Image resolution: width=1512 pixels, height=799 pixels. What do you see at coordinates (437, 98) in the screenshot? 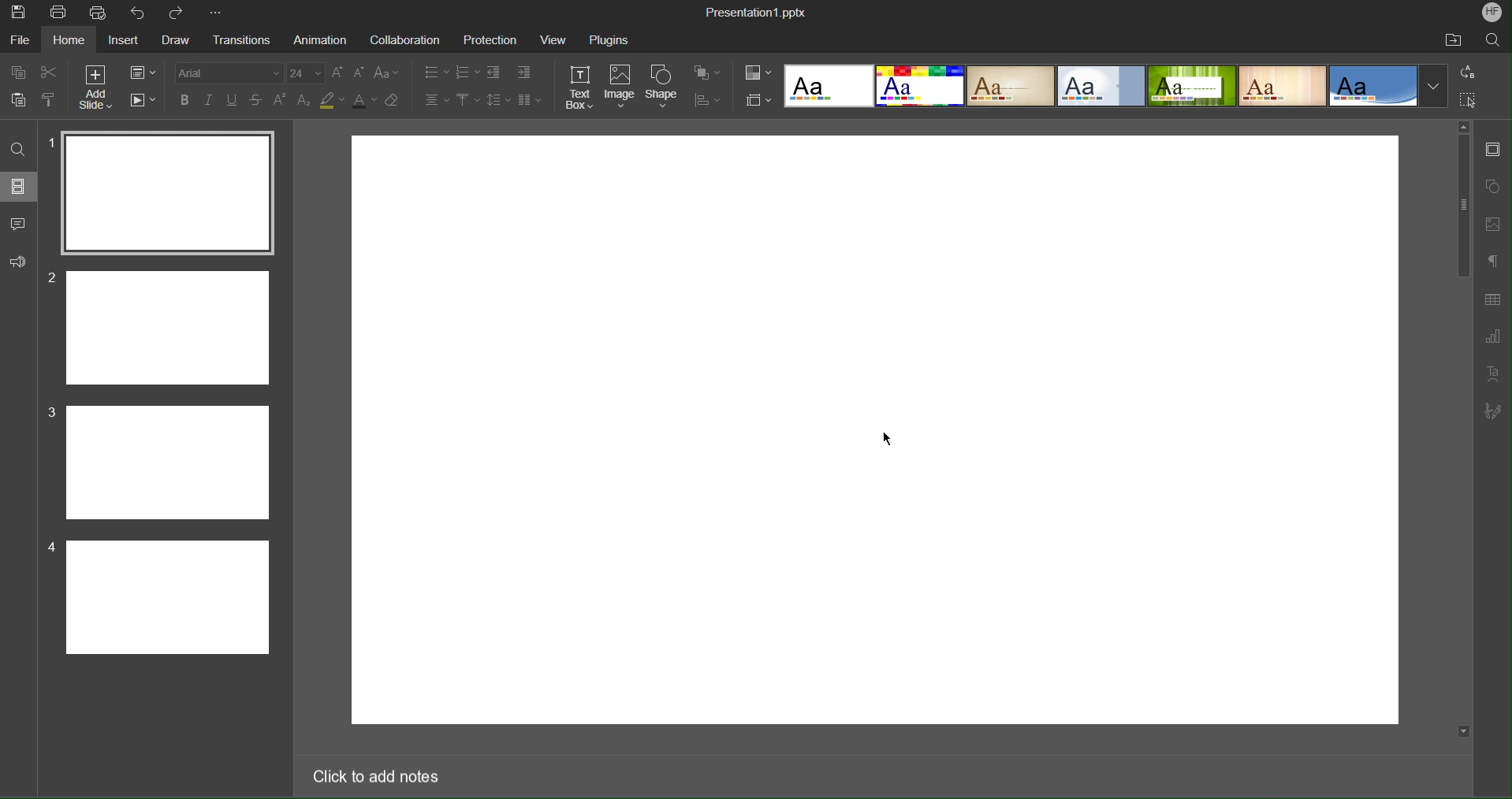
I see `Text Alignment` at bounding box center [437, 98].